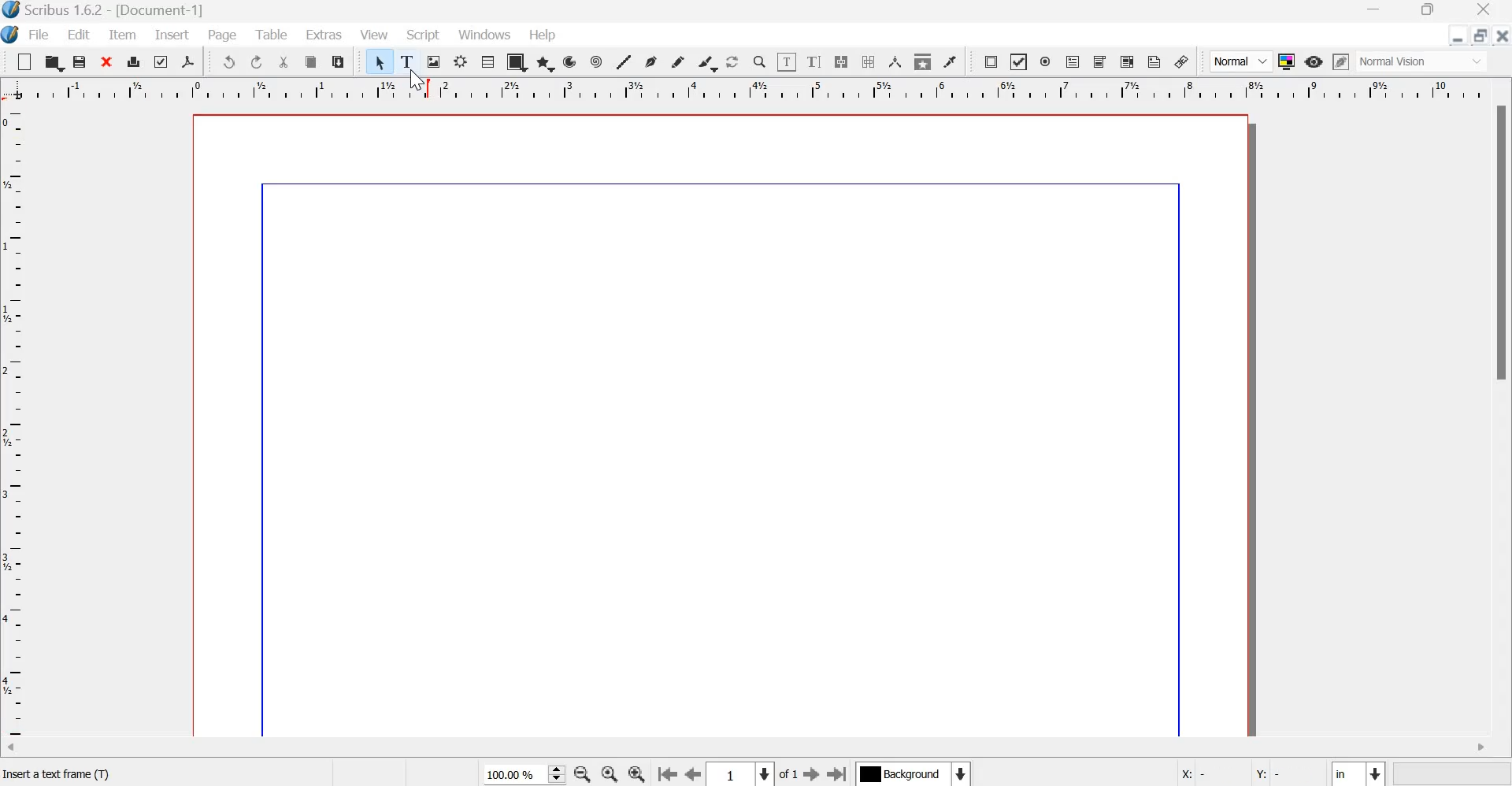  I want to click on Toggle Color Management System, so click(1287, 61).